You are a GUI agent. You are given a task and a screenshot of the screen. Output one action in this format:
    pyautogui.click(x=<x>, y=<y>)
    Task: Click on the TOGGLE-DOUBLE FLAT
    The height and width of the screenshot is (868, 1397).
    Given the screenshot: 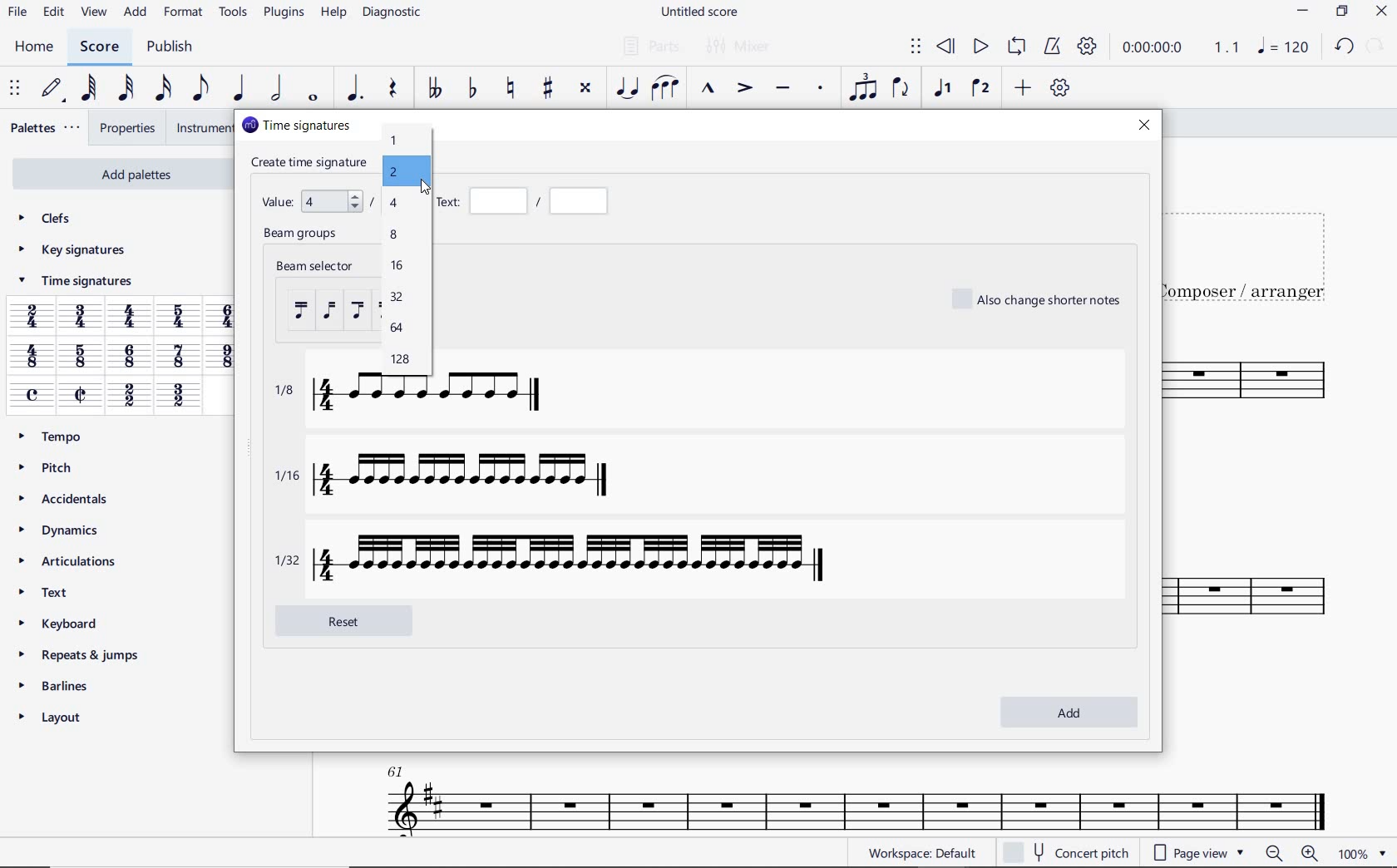 What is the action you would take?
    pyautogui.click(x=434, y=89)
    